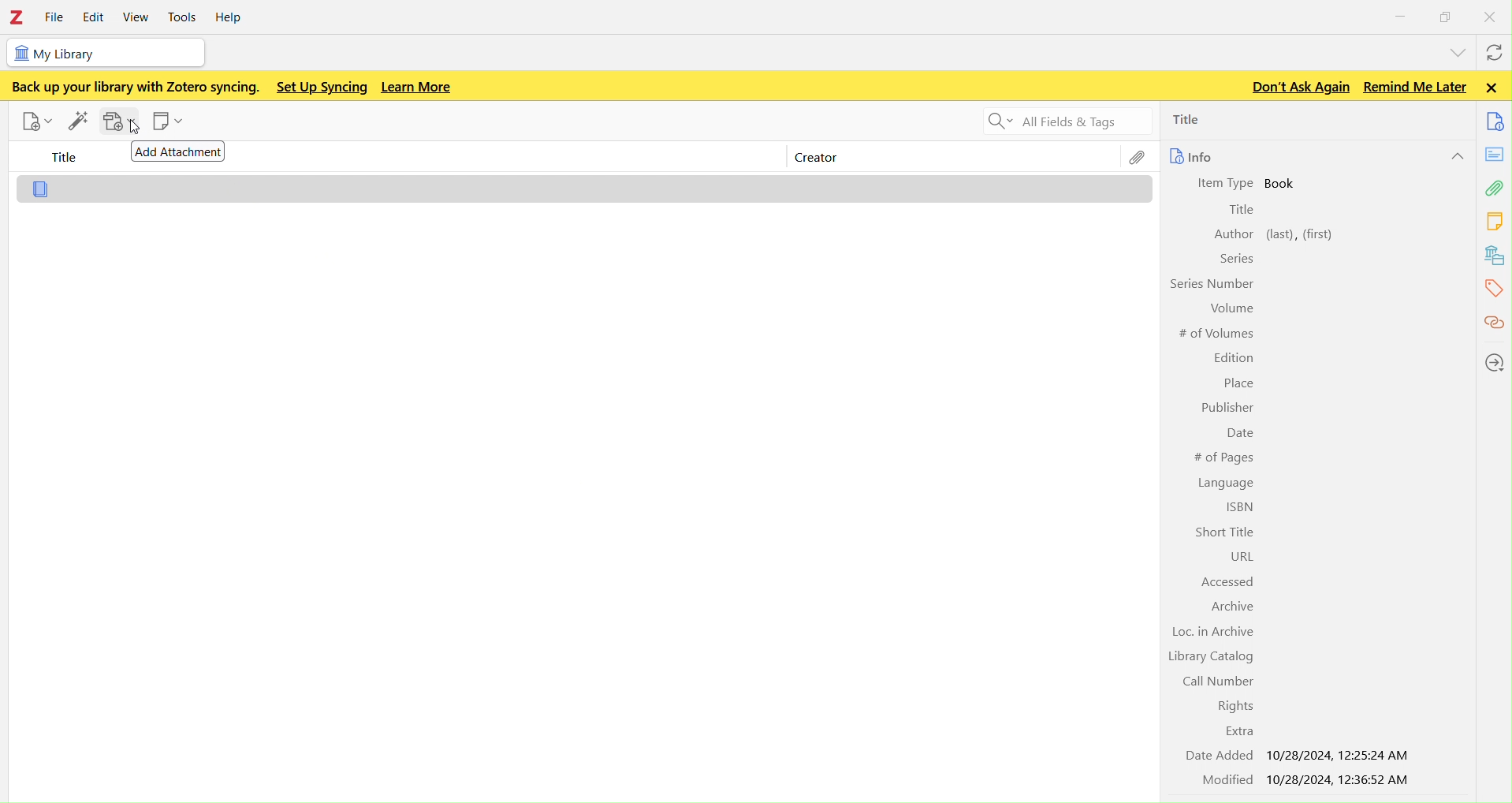 Image resolution: width=1512 pixels, height=803 pixels. What do you see at coordinates (1492, 15) in the screenshot?
I see `close` at bounding box center [1492, 15].